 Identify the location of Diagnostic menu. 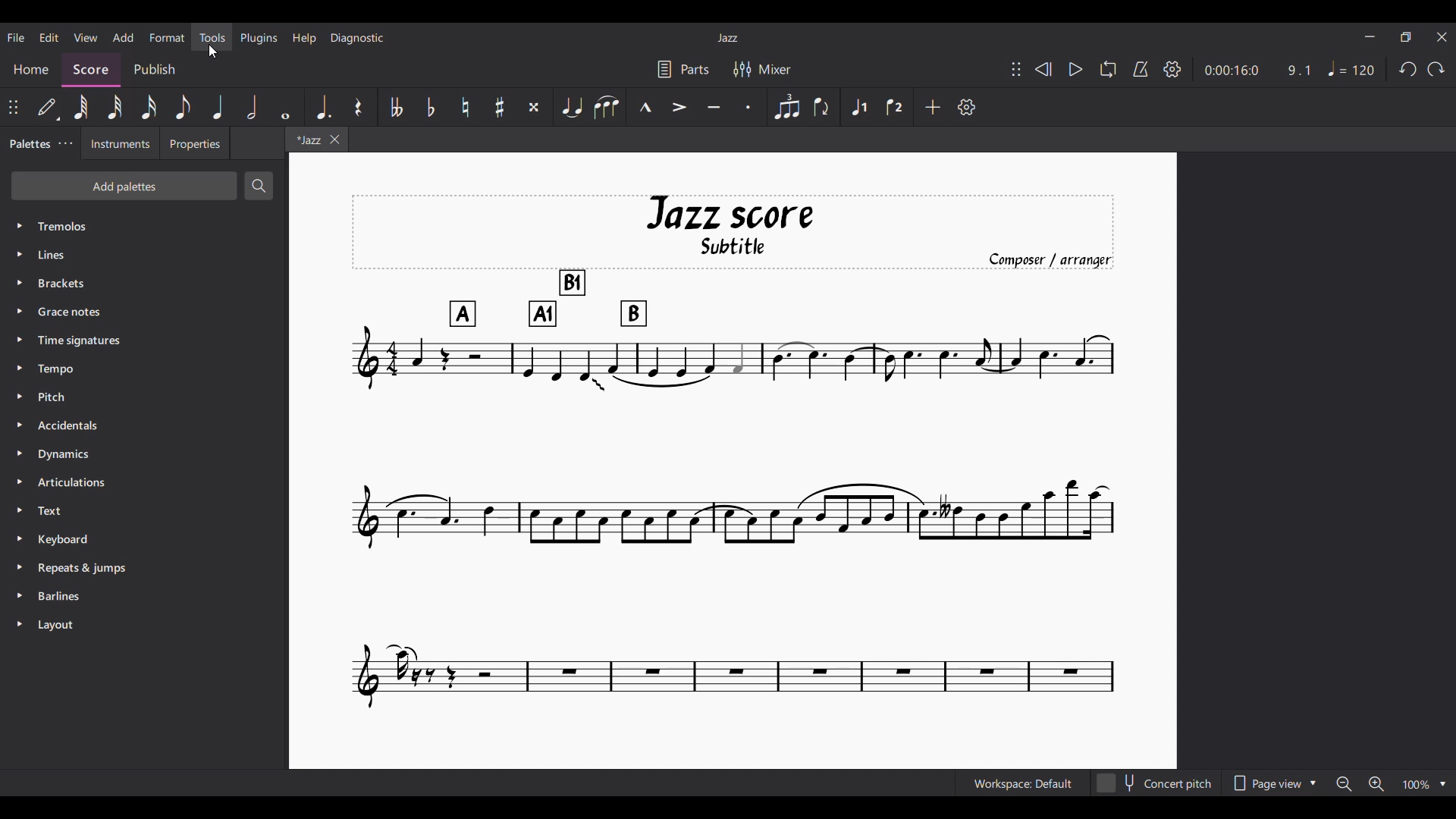
(357, 38).